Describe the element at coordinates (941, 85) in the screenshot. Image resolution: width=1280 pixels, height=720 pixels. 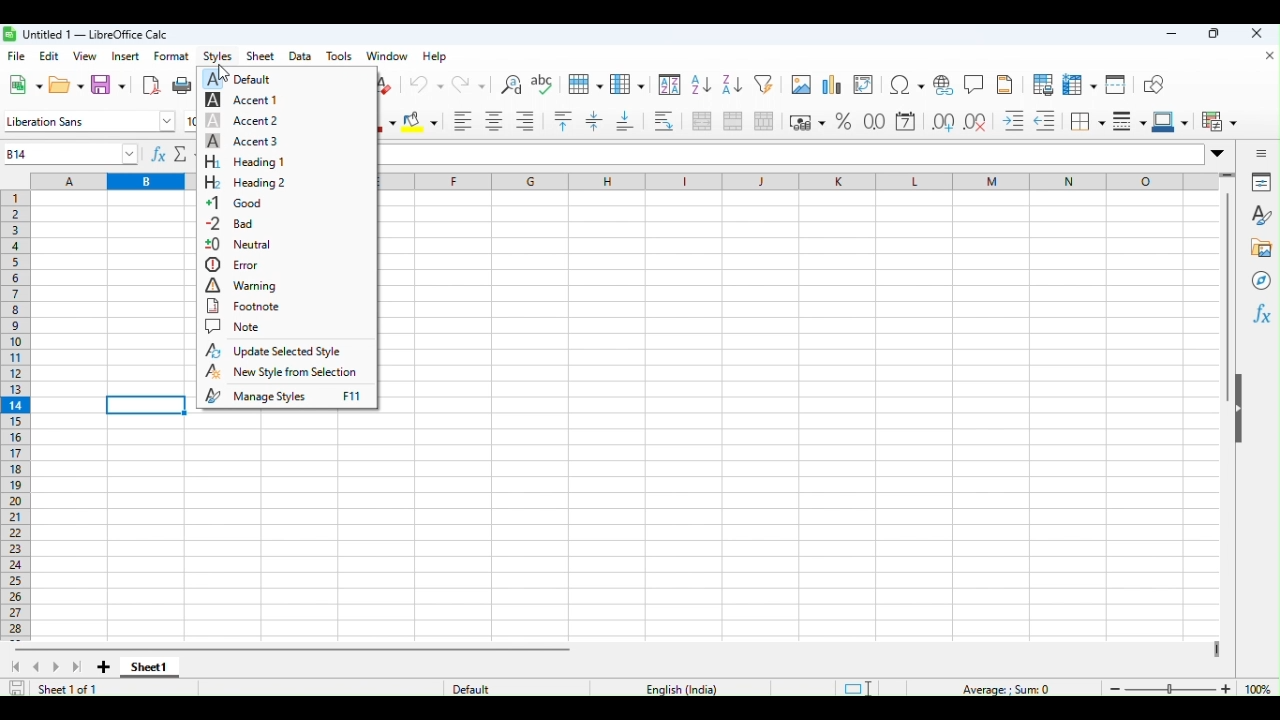
I see `Insert link` at that location.